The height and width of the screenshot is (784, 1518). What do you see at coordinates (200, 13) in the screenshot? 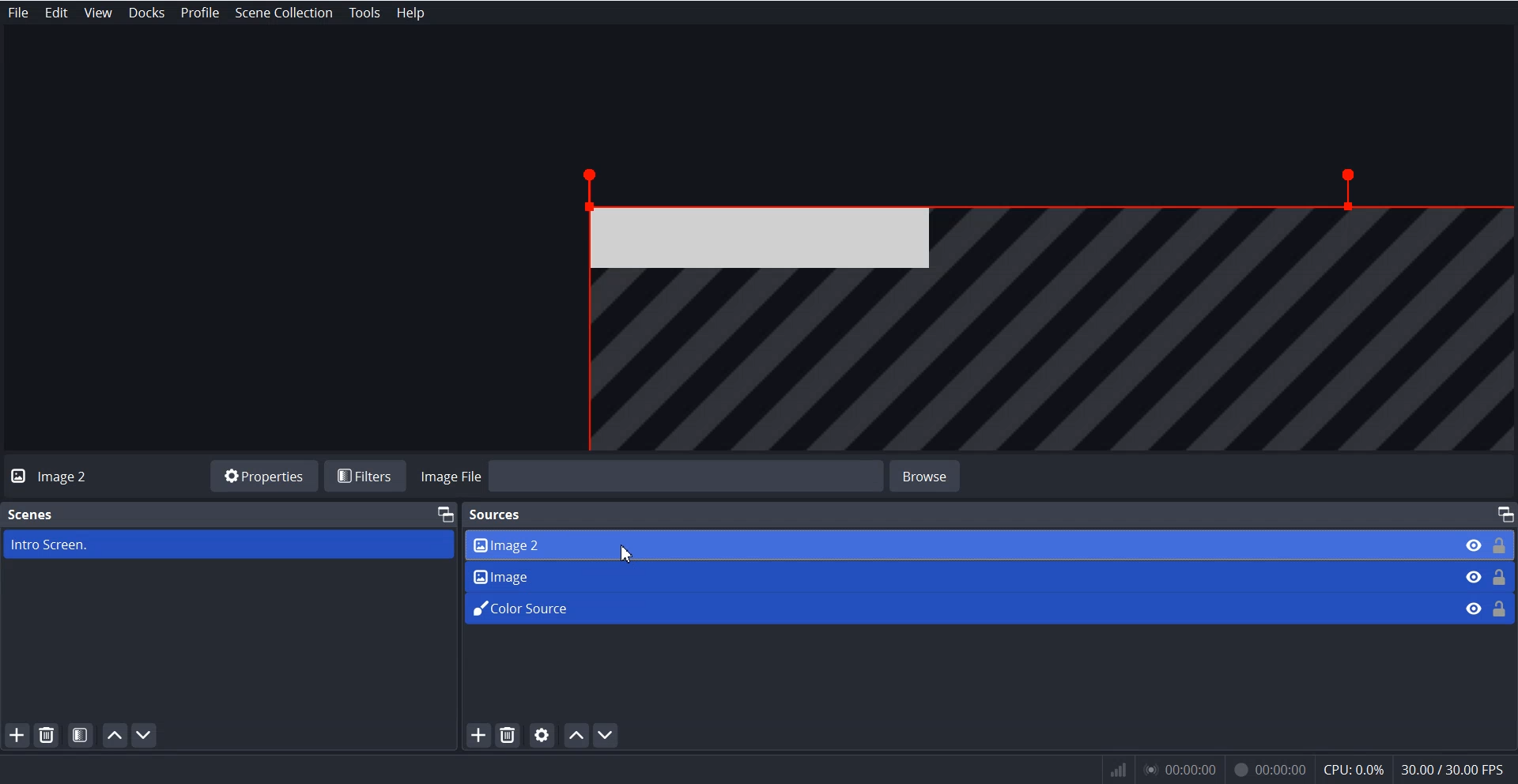
I see `Profile` at bounding box center [200, 13].